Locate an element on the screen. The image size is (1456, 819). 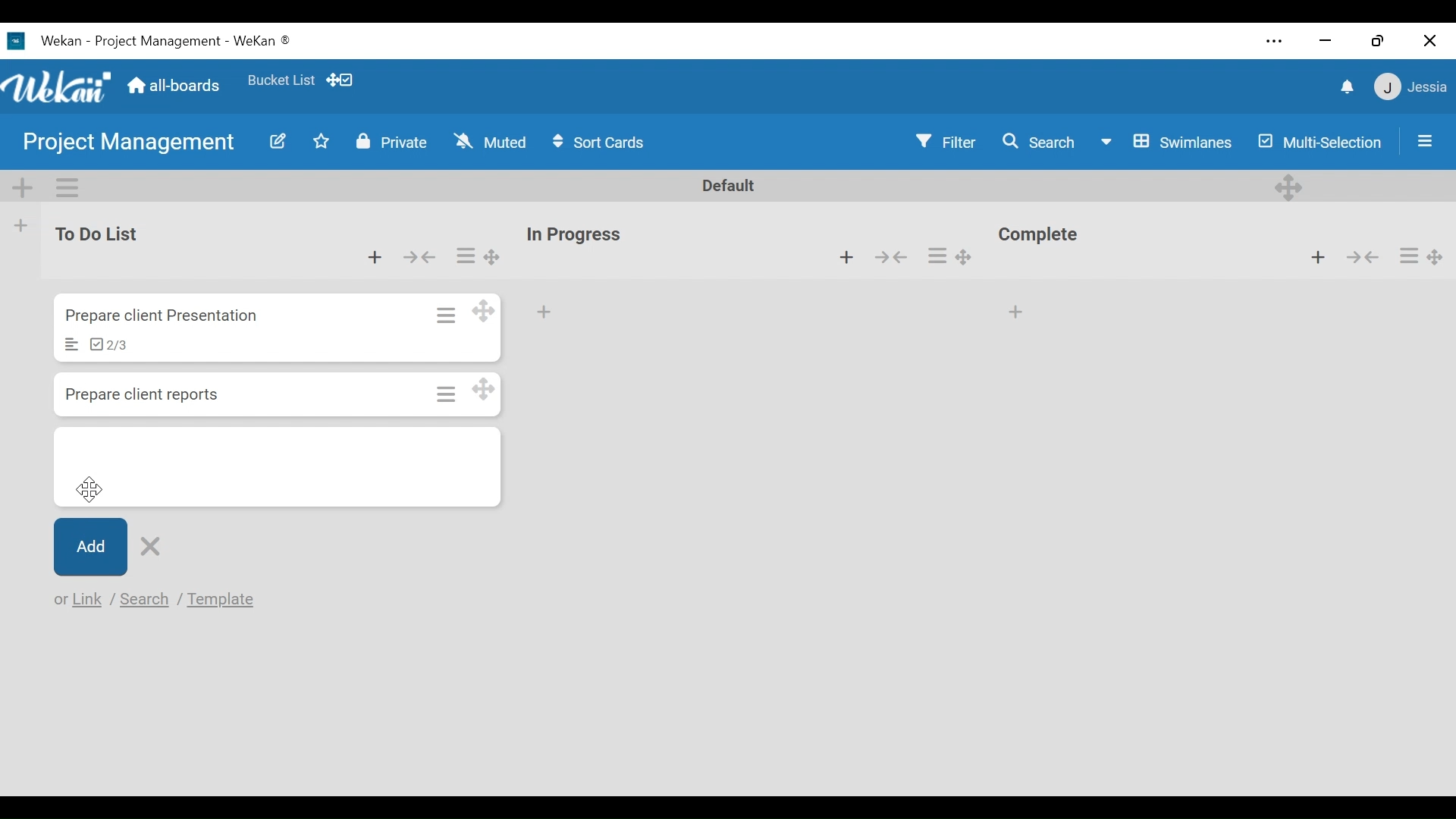
Collapse is located at coordinates (896, 259).